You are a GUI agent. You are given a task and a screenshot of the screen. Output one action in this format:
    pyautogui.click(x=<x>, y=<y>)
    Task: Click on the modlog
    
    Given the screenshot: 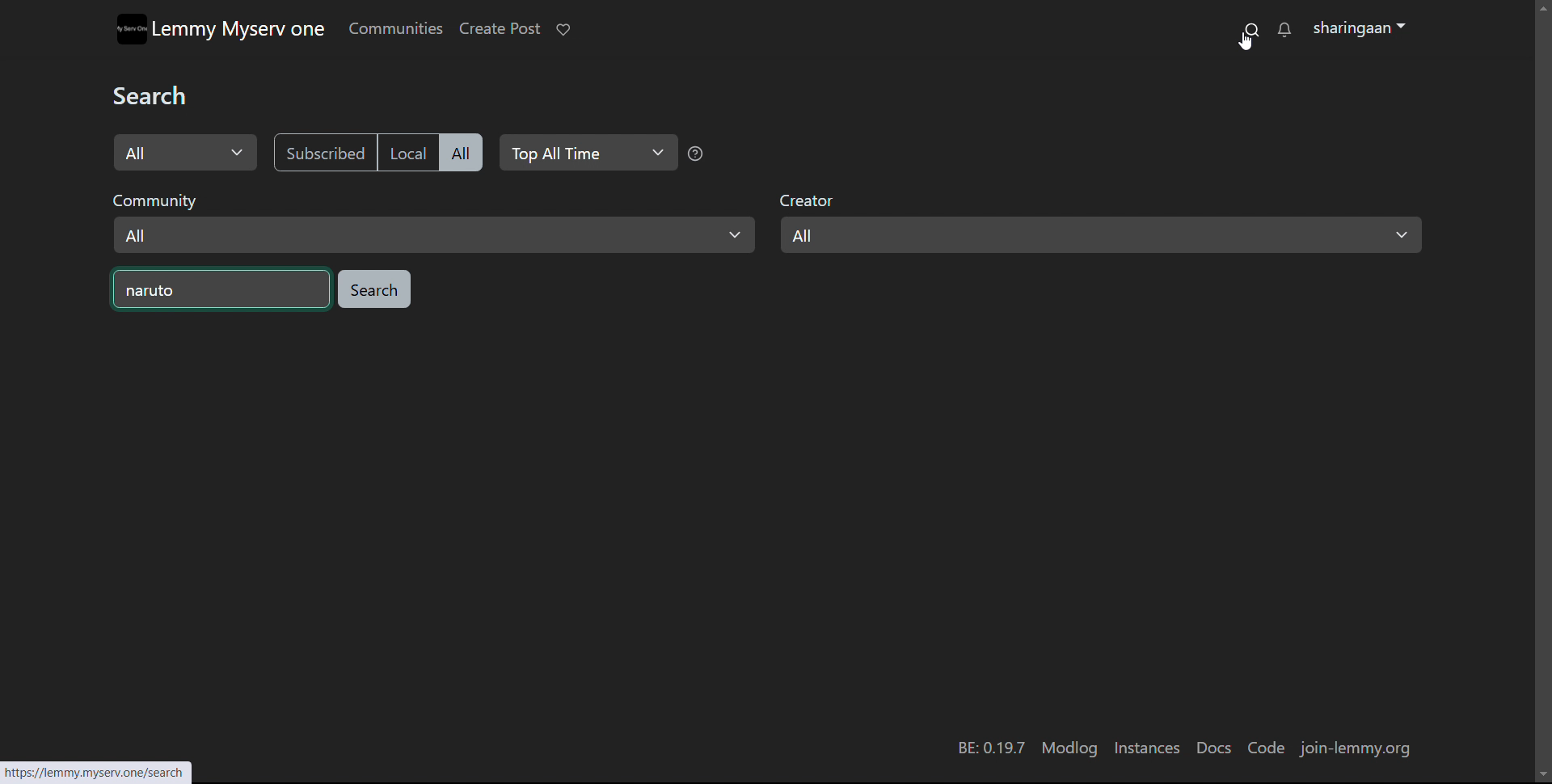 What is the action you would take?
    pyautogui.click(x=1069, y=748)
    